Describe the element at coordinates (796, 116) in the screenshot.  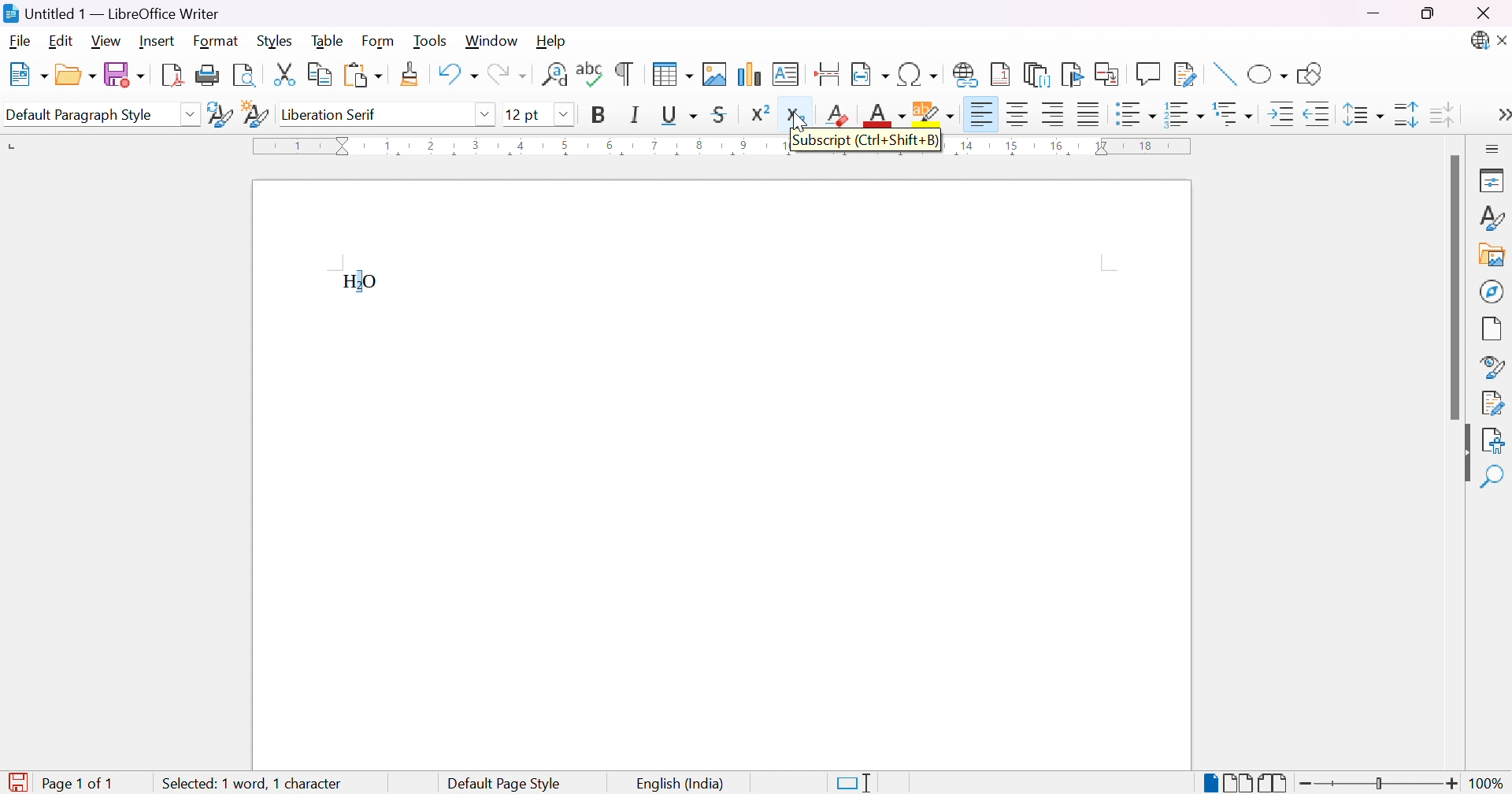
I see `Subscript` at that location.